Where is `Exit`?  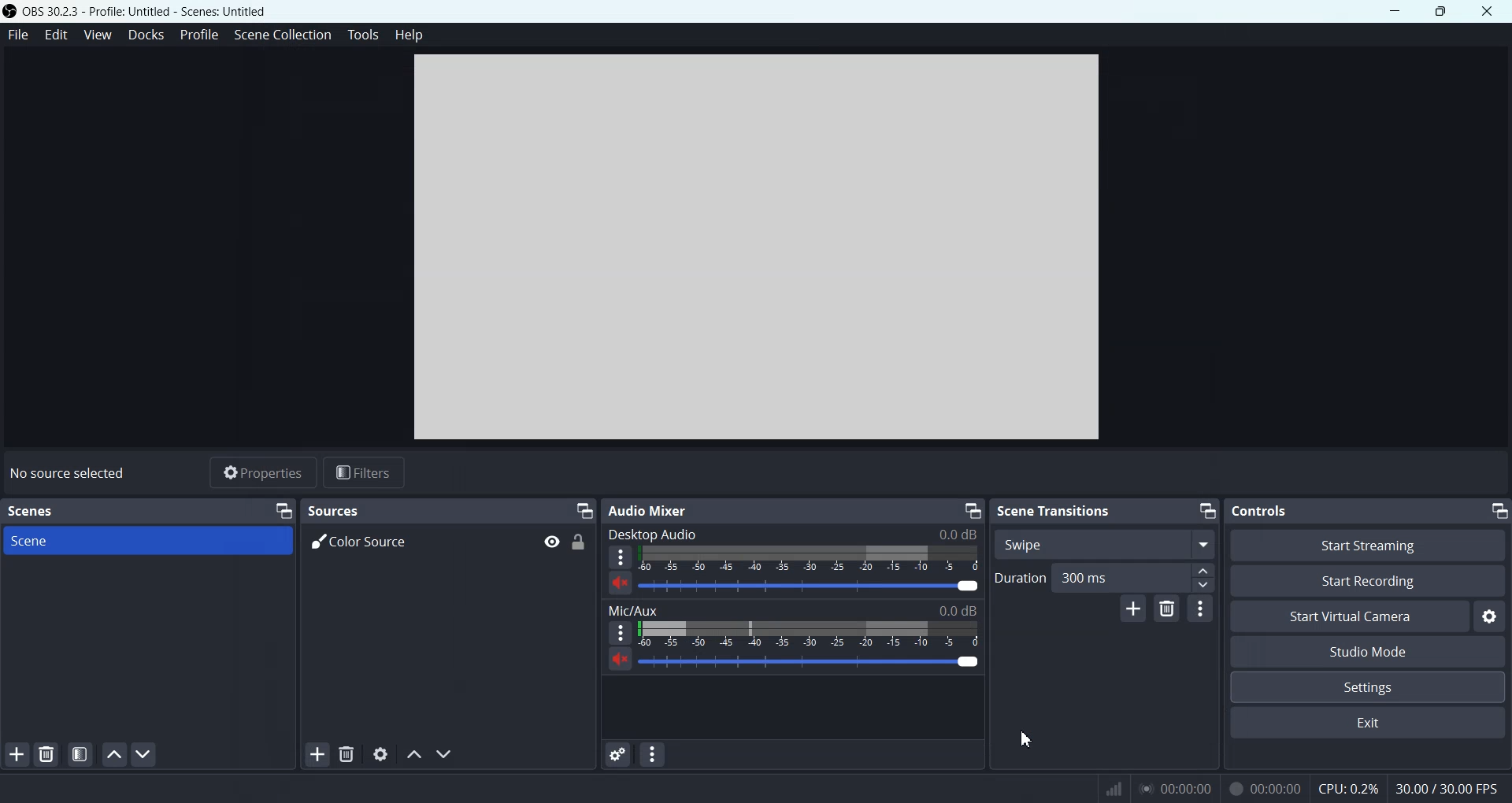 Exit is located at coordinates (1368, 723).